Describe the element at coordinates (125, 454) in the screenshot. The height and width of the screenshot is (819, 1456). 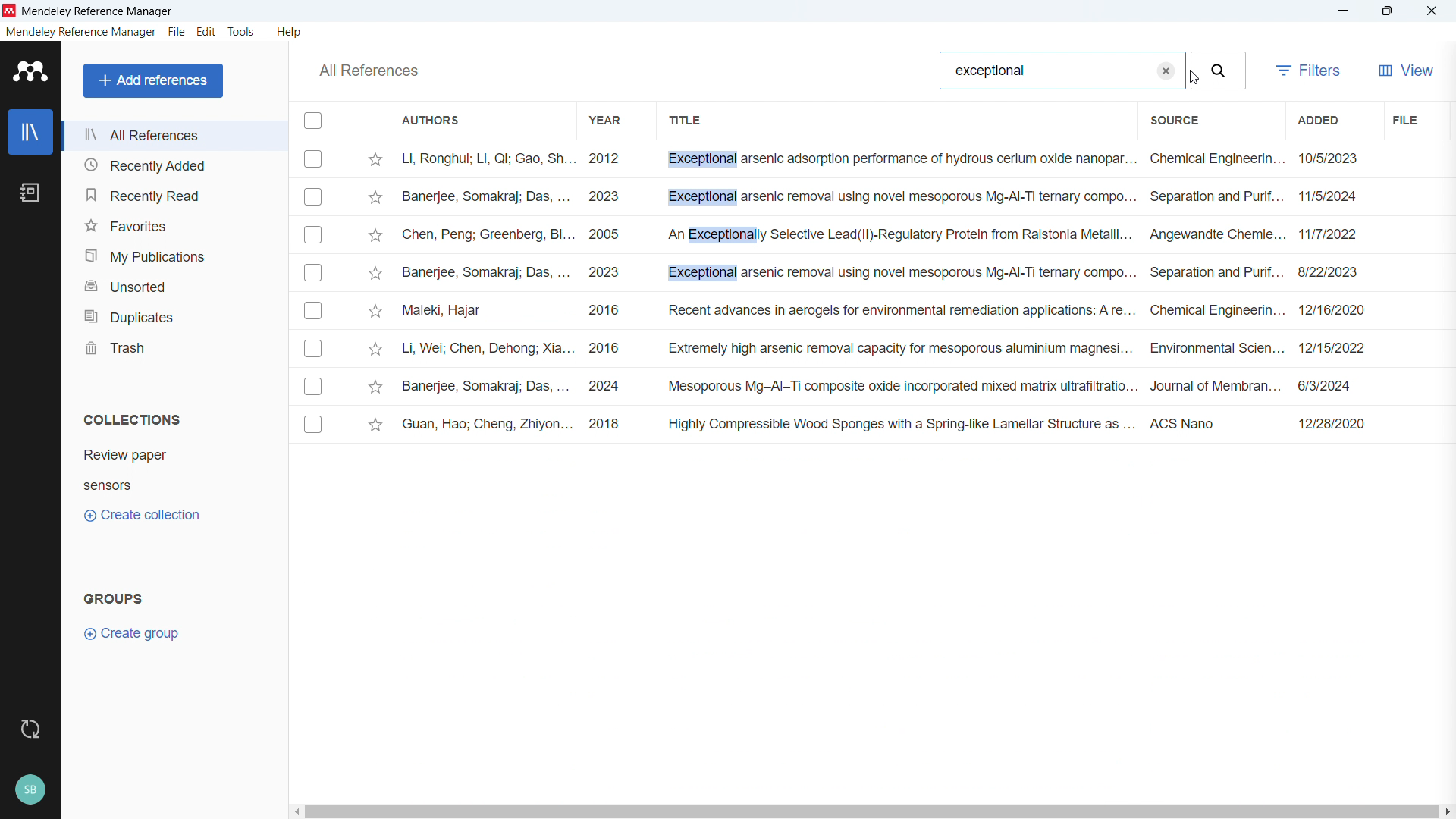
I see `Collection 1 ` at that location.